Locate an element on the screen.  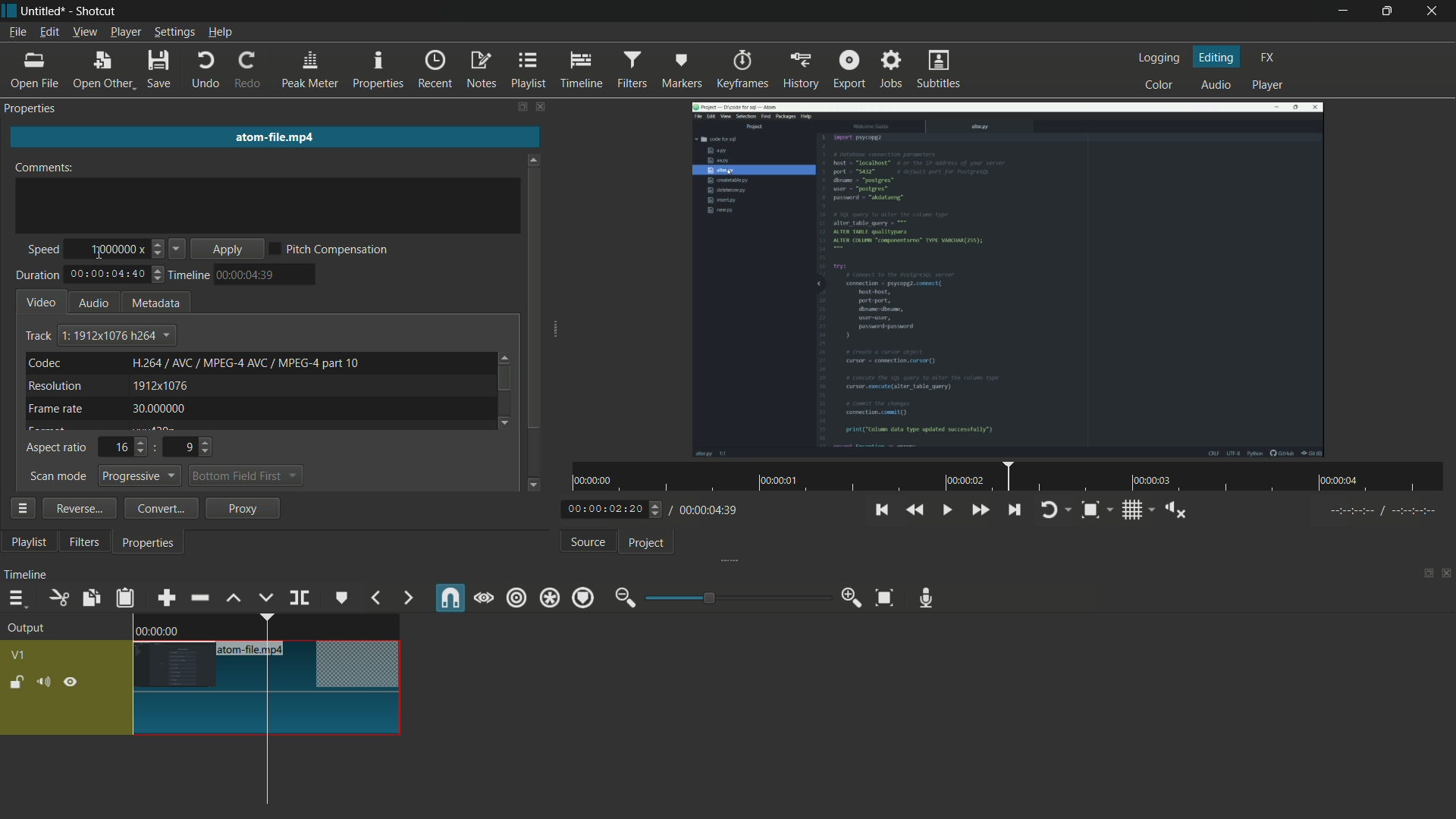
cursor is located at coordinates (252, 698).